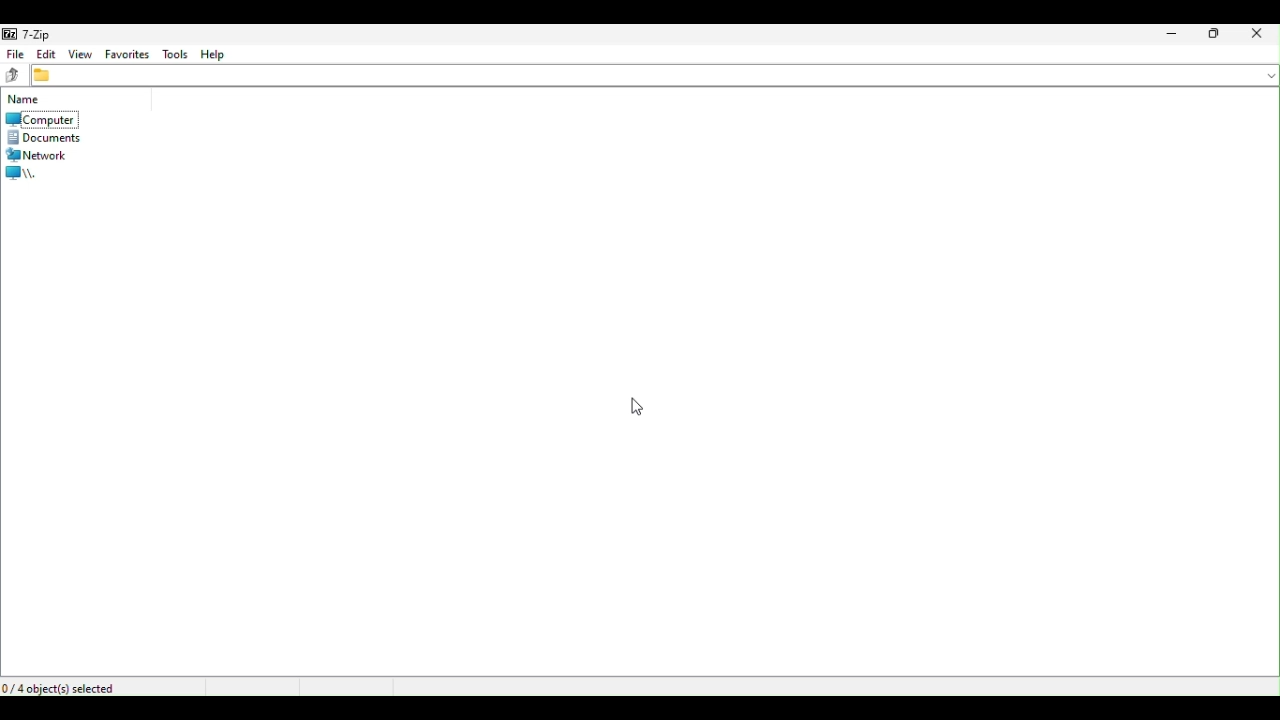  Describe the element at coordinates (39, 119) in the screenshot. I see `Computers` at that location.